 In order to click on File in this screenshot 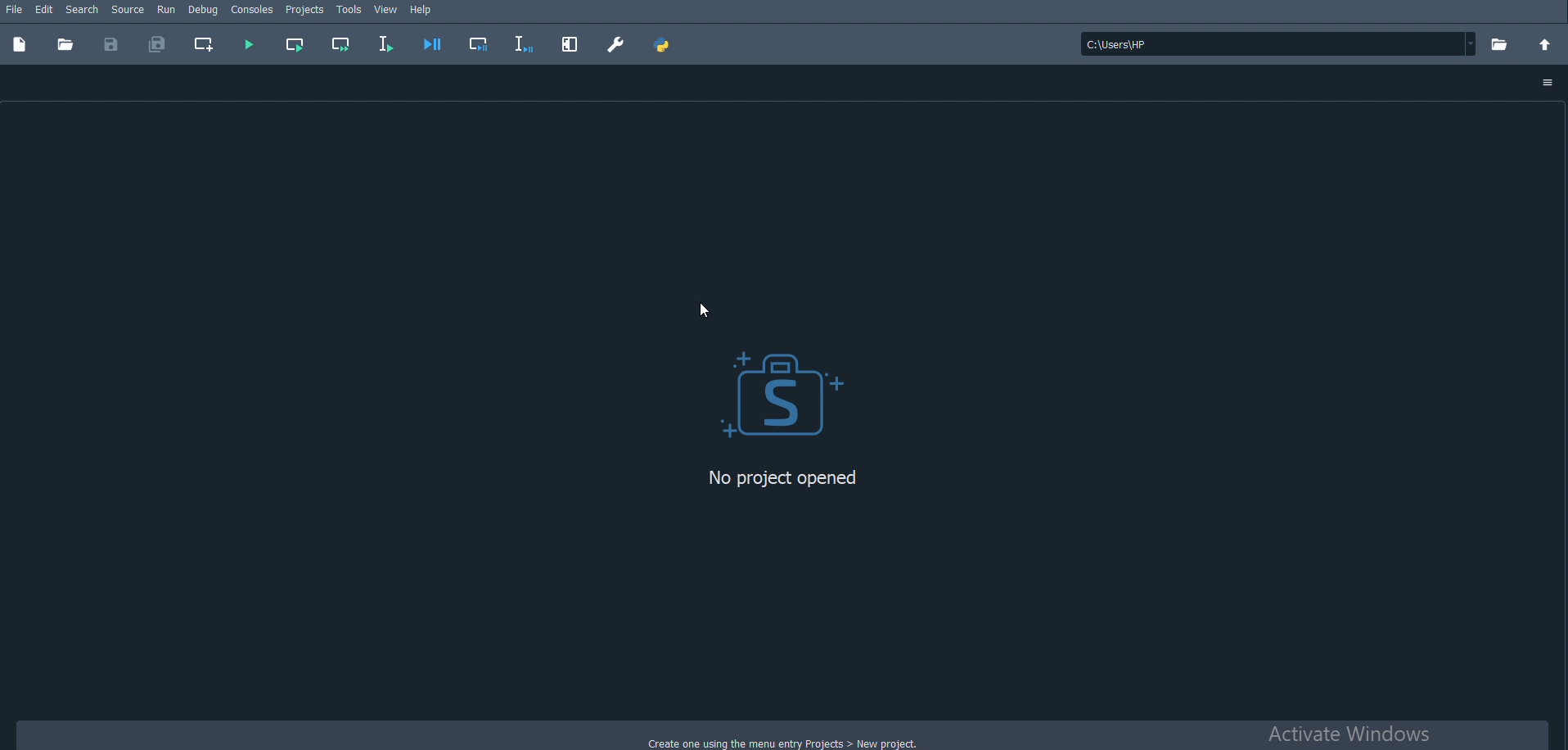, I will do `click(13, 8)`.